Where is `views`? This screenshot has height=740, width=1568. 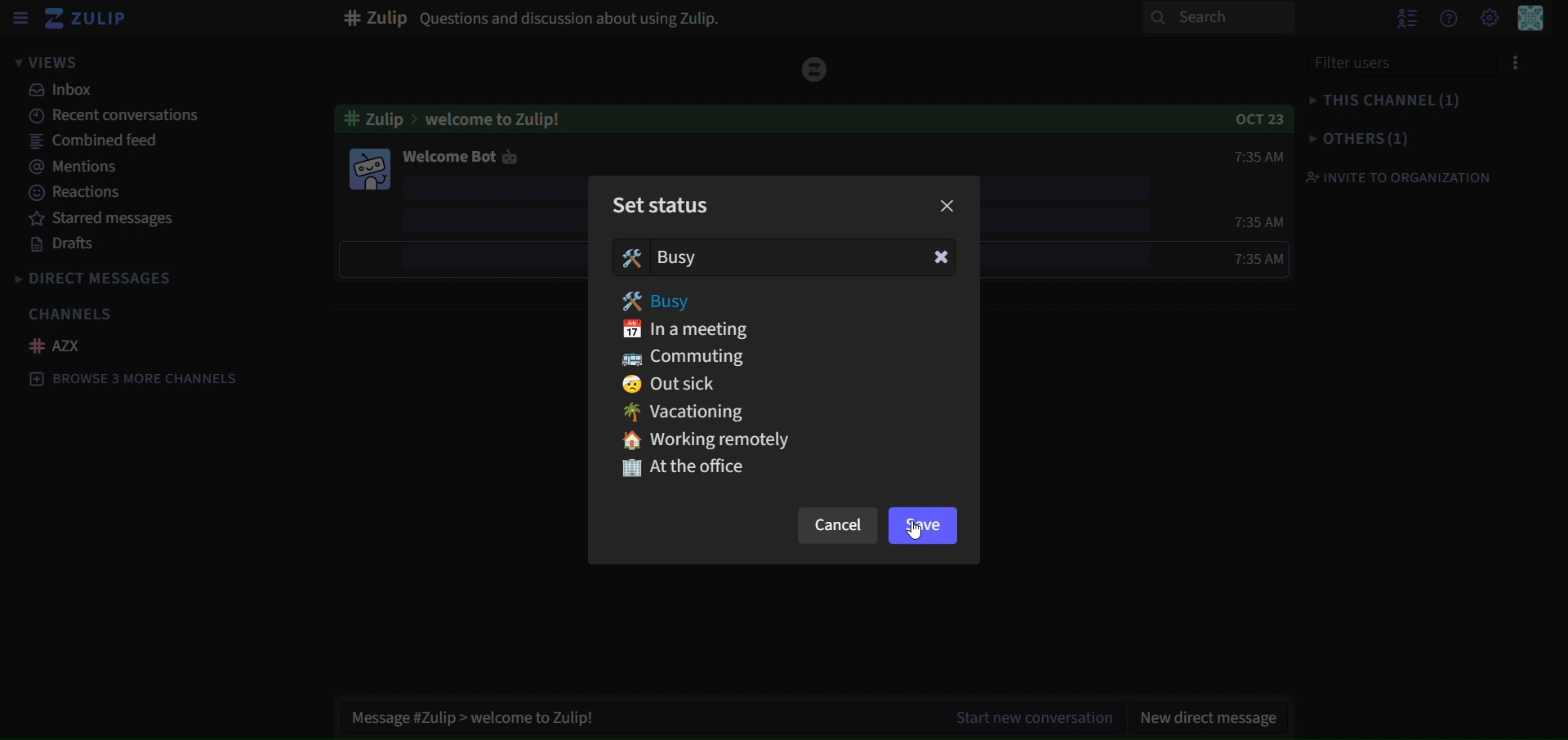
views is located at coordinates (62, 64).